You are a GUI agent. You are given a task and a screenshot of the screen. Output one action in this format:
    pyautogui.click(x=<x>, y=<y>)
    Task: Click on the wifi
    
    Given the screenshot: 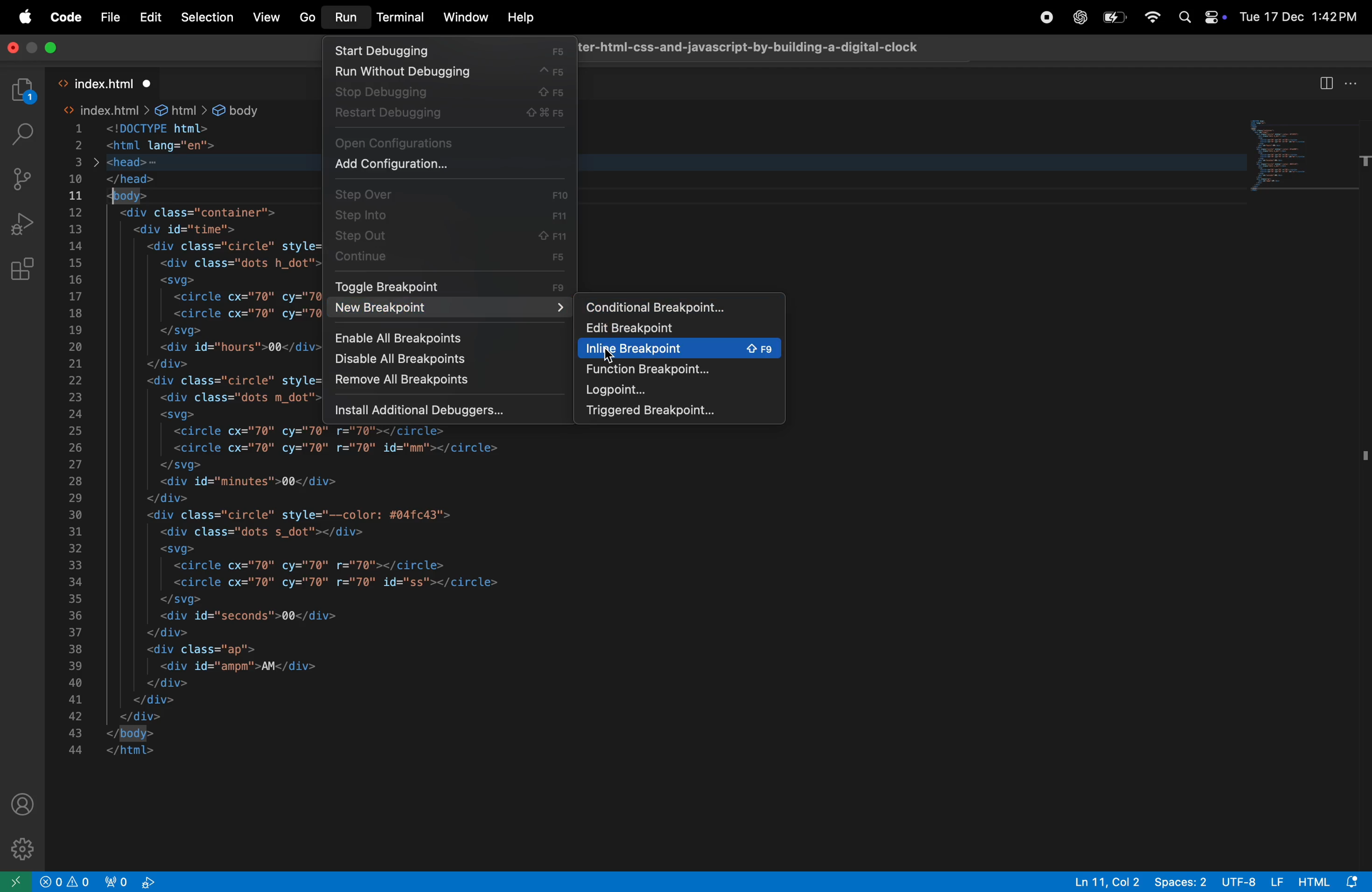 What is the action you would take?
    pyautogui.click(x=1152, y=16)
    